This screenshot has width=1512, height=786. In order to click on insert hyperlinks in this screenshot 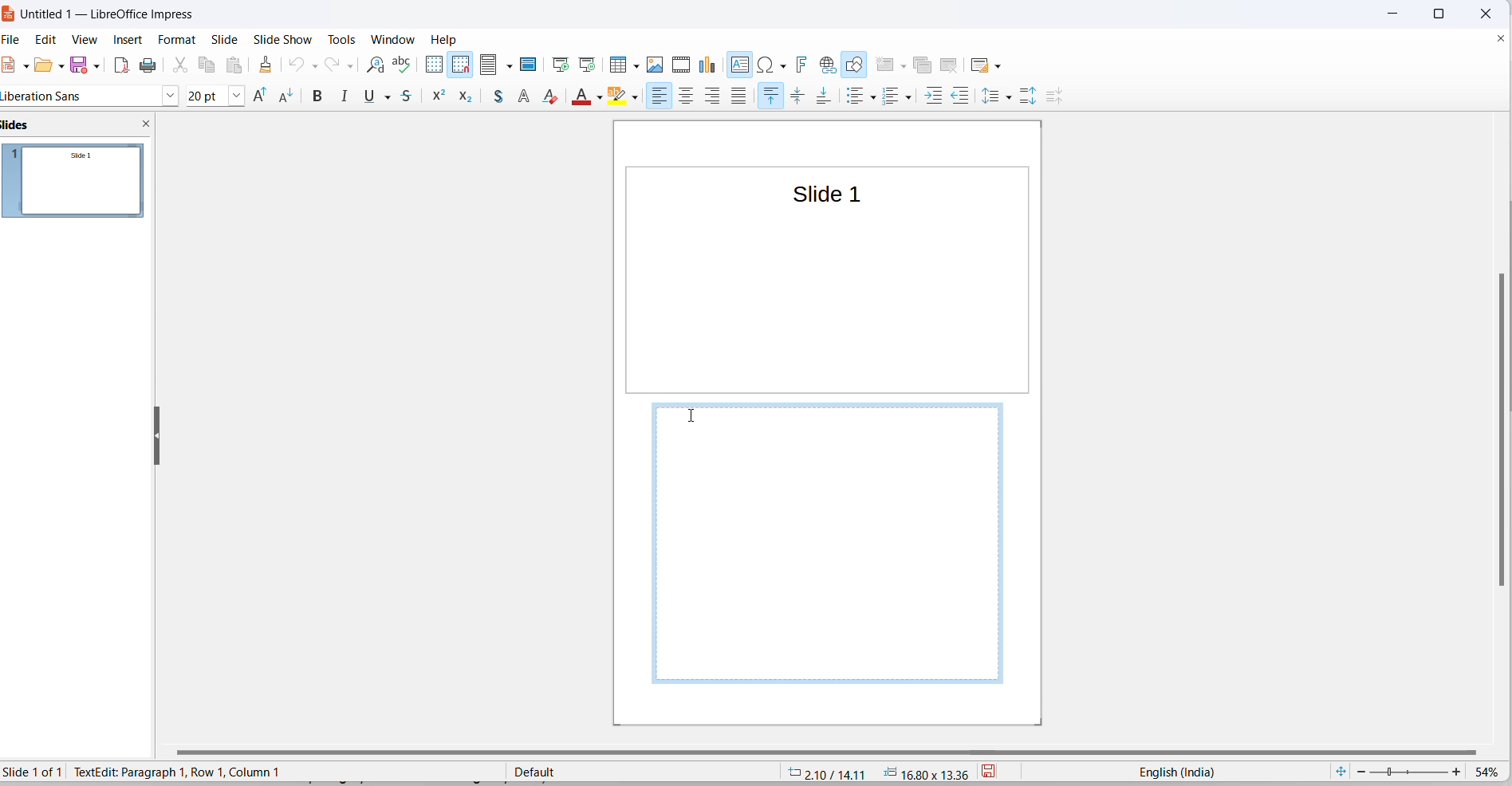, I will do `click(829, 64)`.